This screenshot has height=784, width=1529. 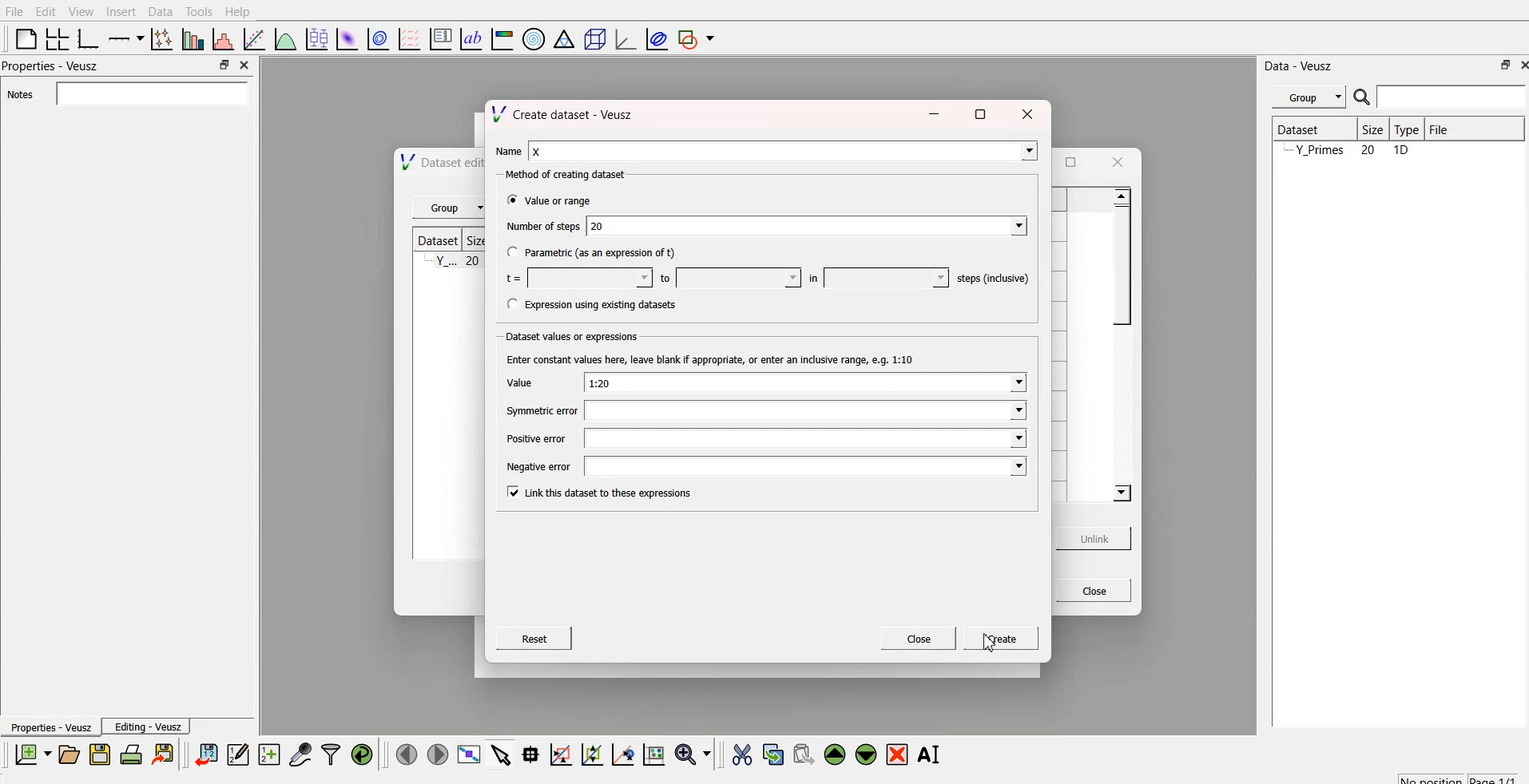 I want to click on read datapoint on graph, so click(x=529, y=754).